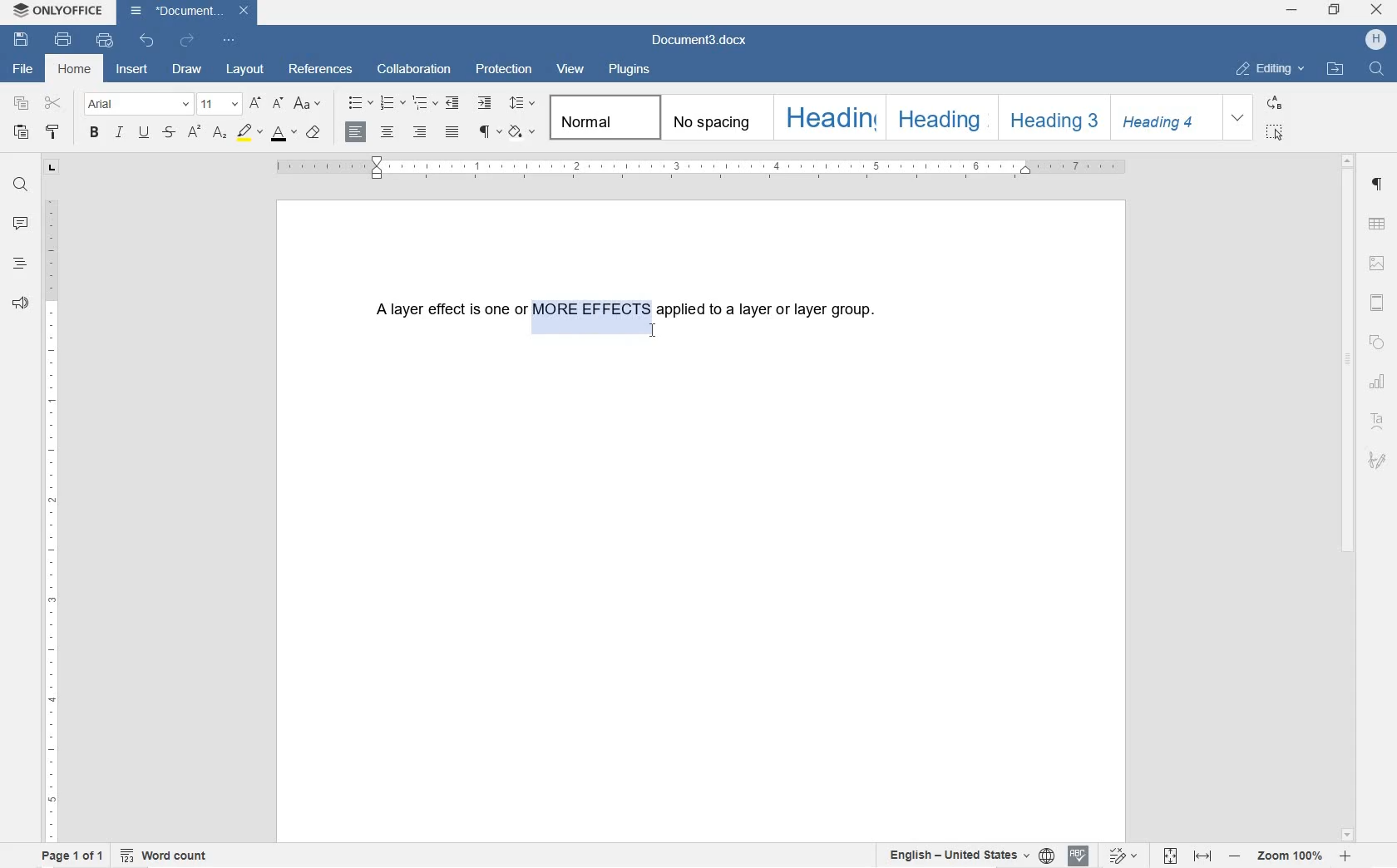  I want to click on document3.docx, so click(703, 41).